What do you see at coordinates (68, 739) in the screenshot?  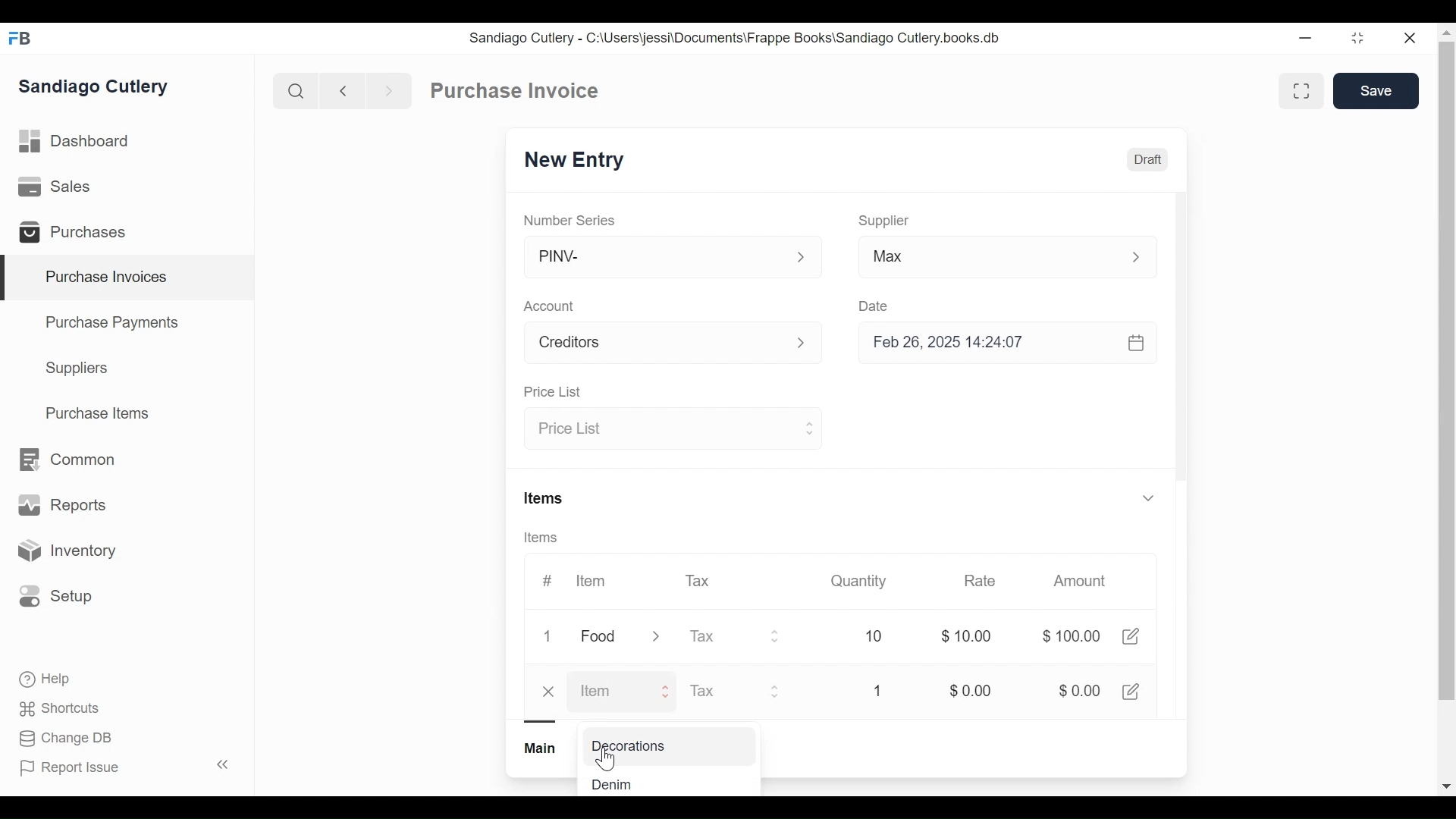 I see `Change DB` at bounding box center [68, 739].